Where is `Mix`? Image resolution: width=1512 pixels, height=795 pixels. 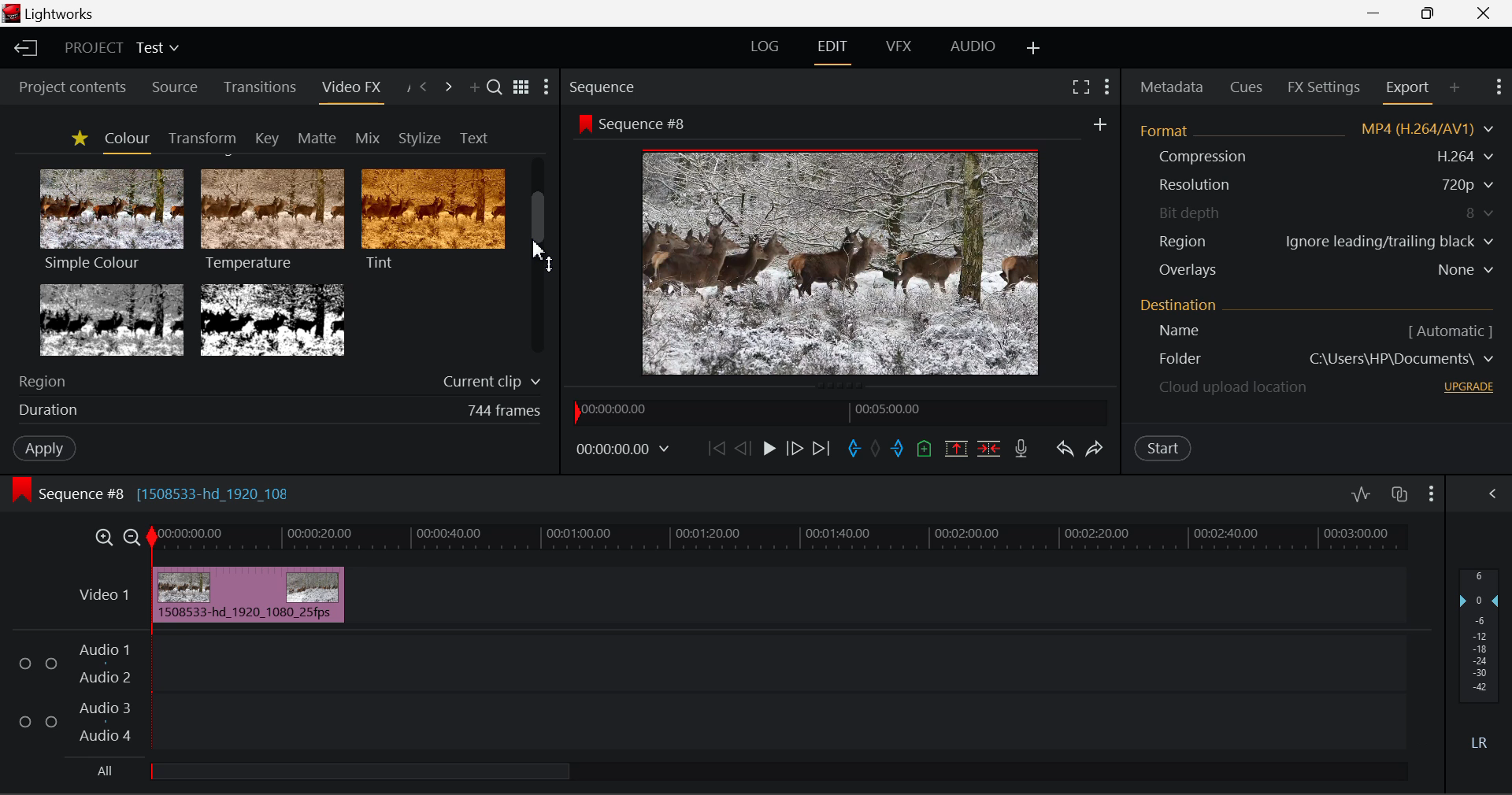 Mix is located at coordinates (369, 135).